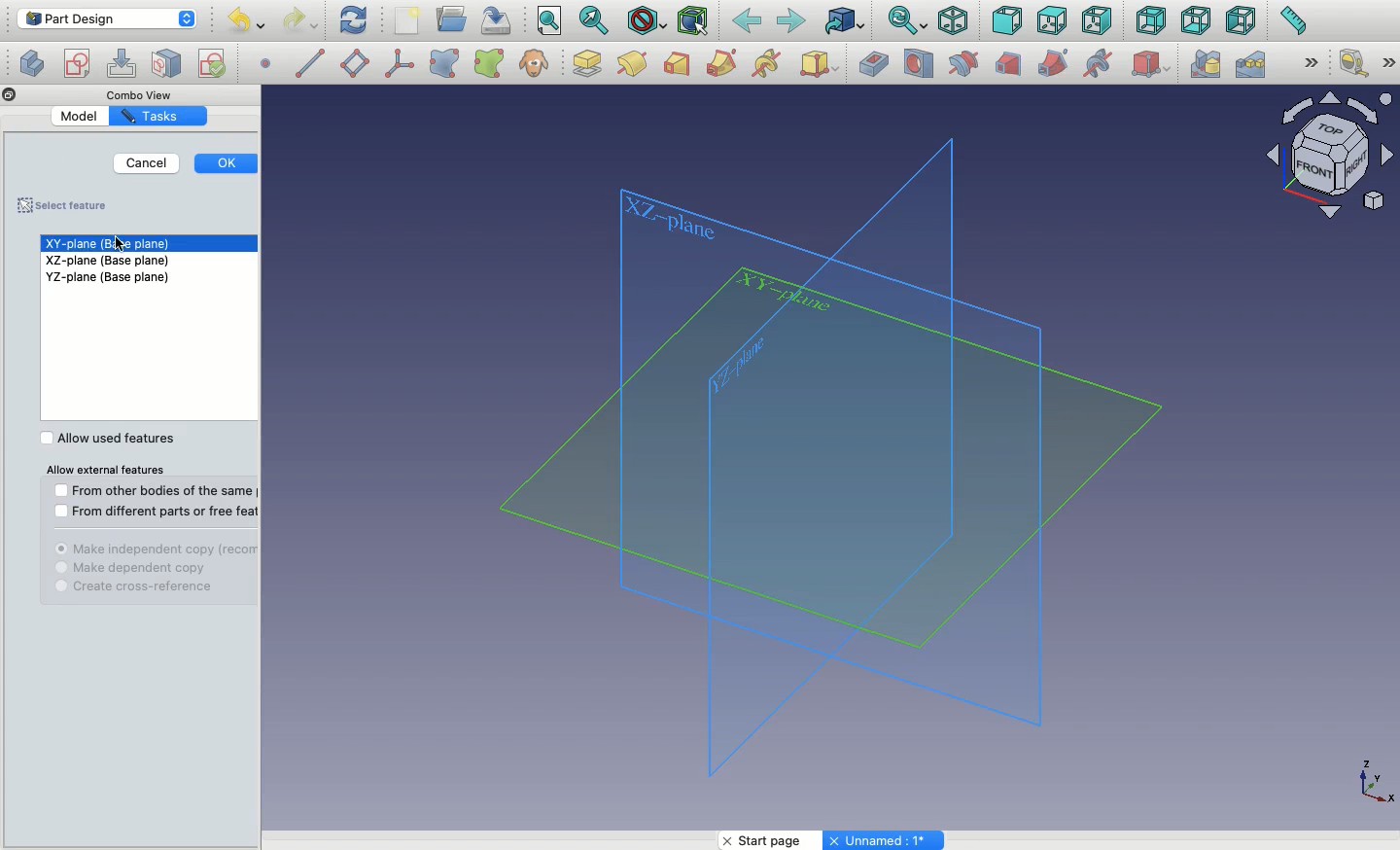  I want to click on Additive pipe, so click(722, 62).